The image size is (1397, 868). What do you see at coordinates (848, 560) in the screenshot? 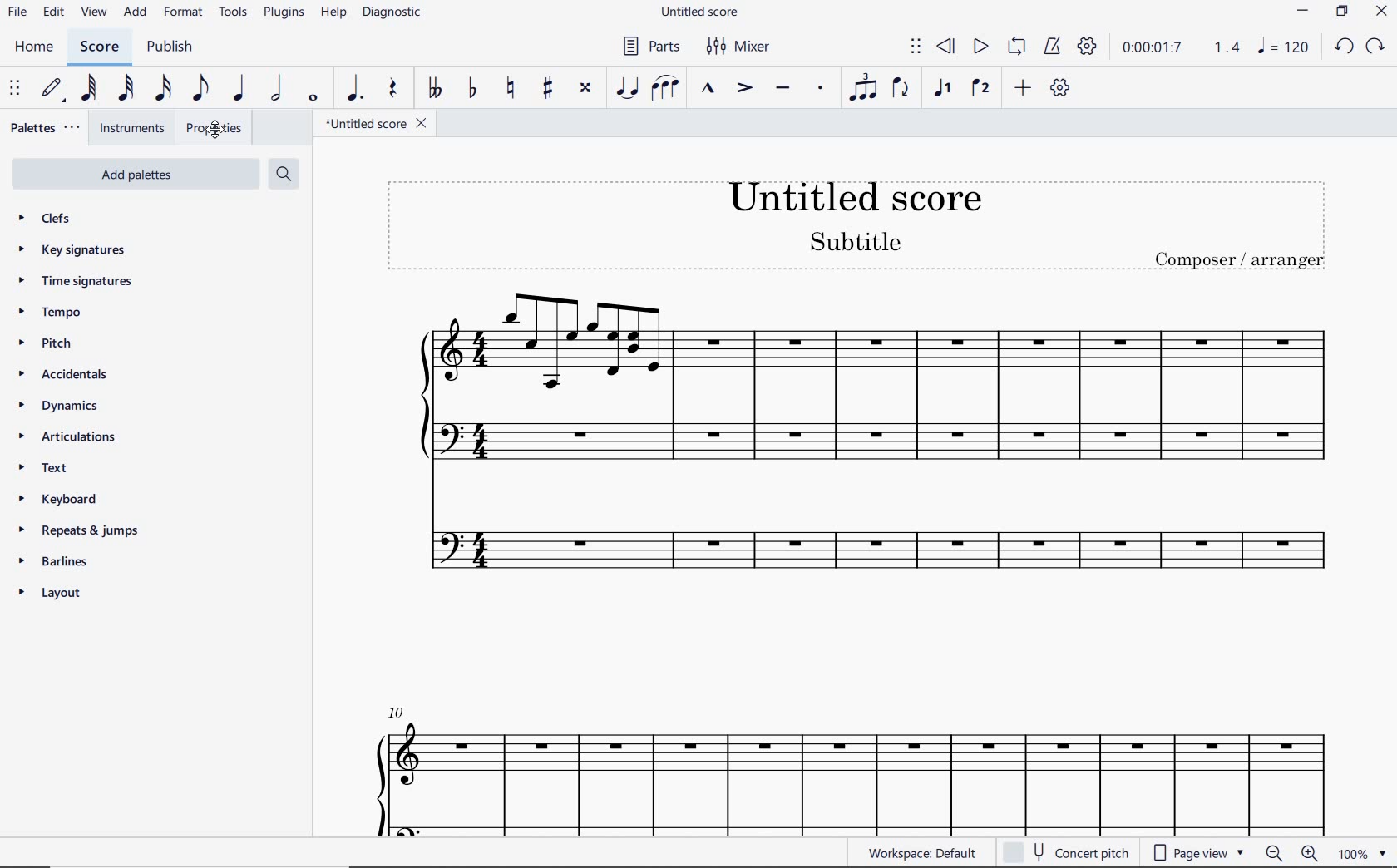
I see `INSTRUMENT: FLUTE` at bounding box center [848, 560].